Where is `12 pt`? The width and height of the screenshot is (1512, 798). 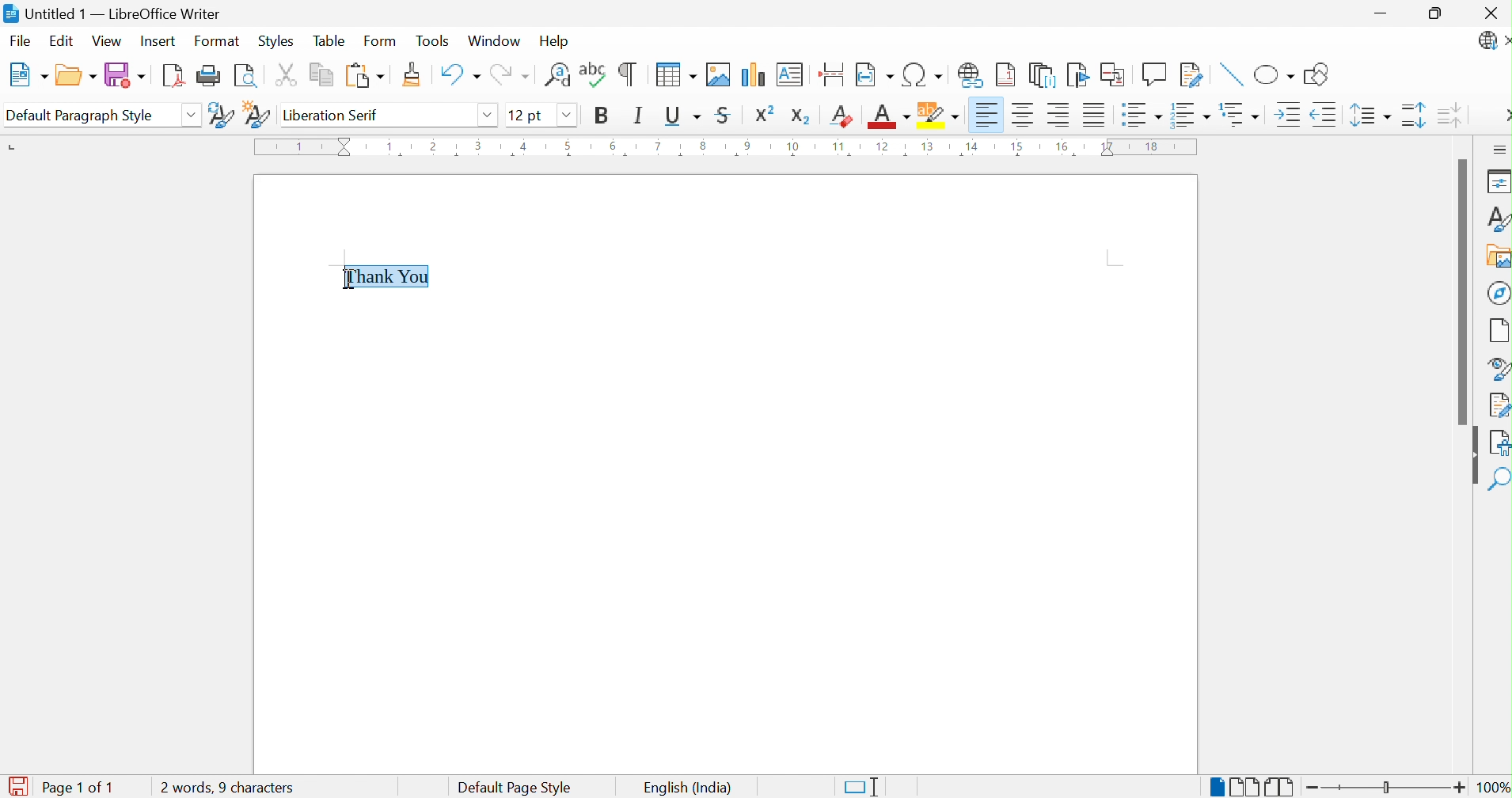 12 pt is located at coordinates (527, 113).